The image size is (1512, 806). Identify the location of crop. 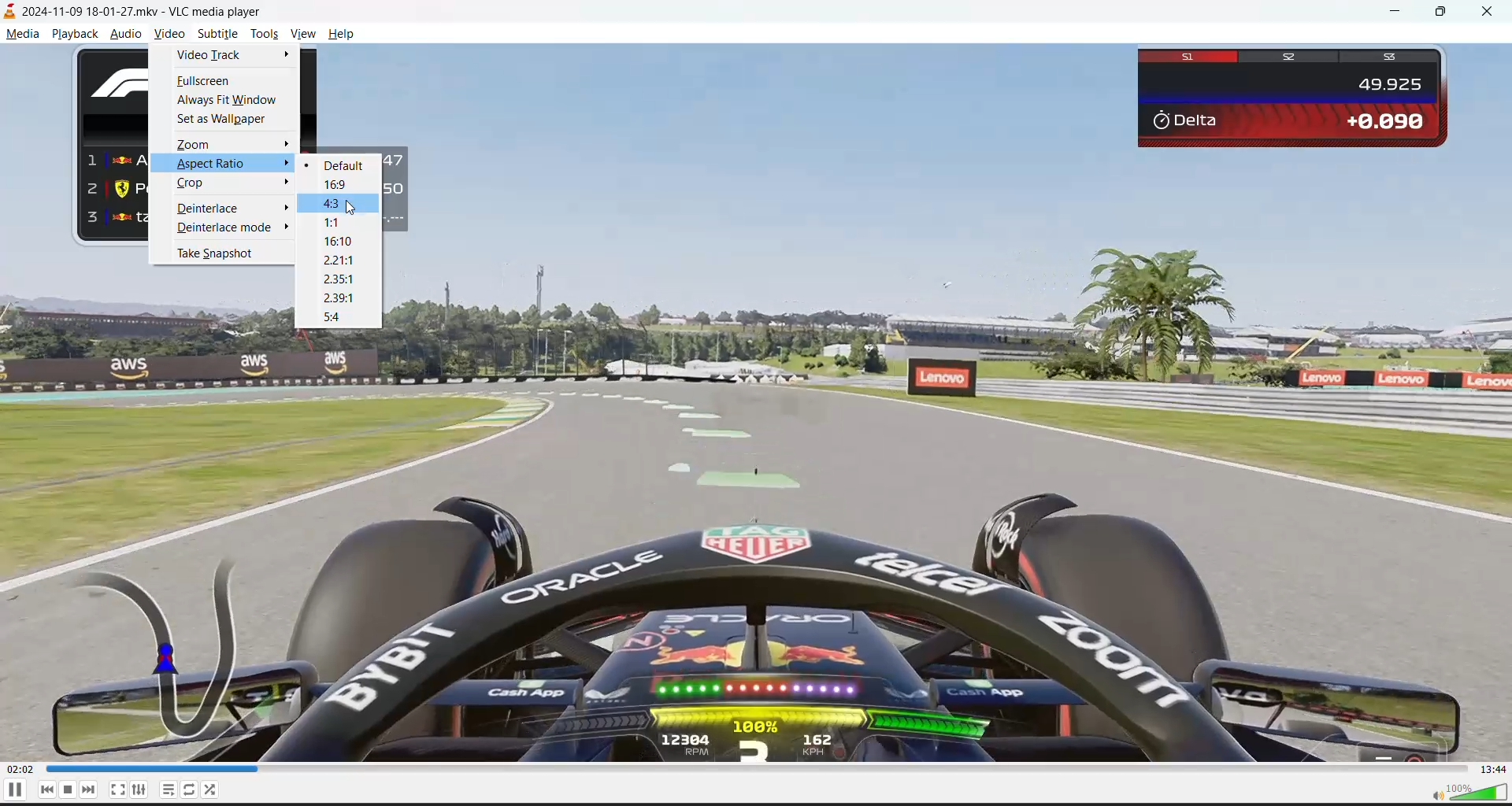
(198, 183).